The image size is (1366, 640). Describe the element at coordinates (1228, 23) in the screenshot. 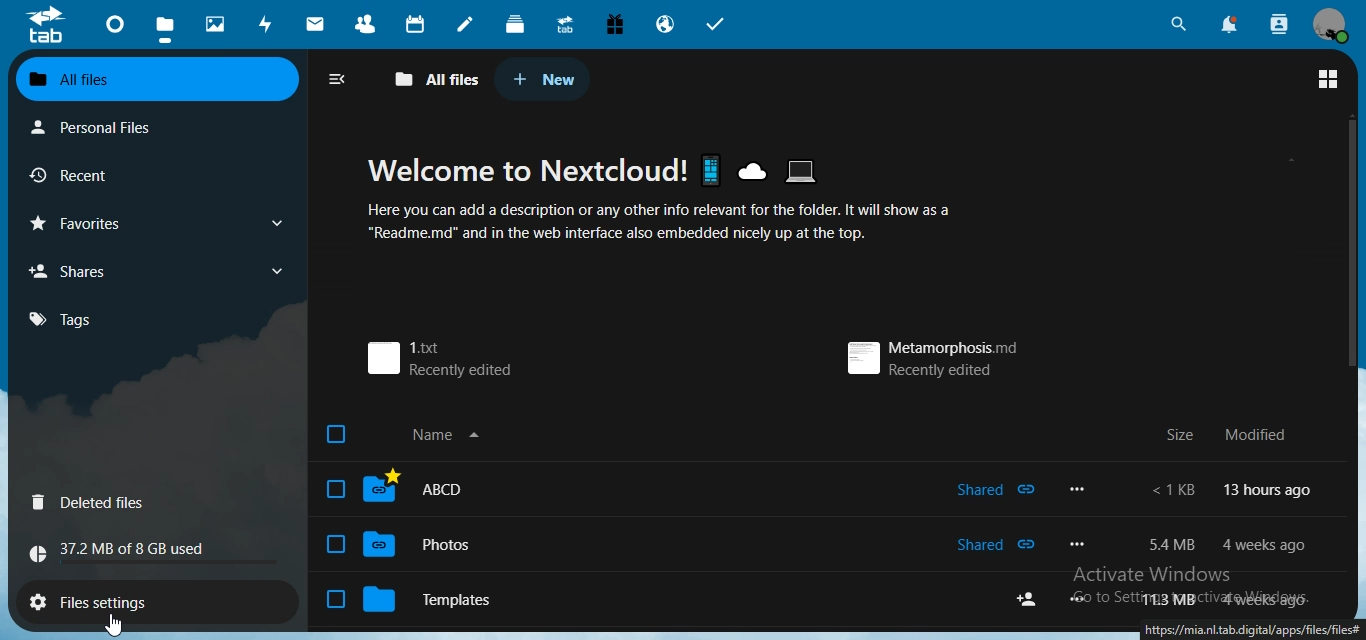

I see `notifications` at that location.